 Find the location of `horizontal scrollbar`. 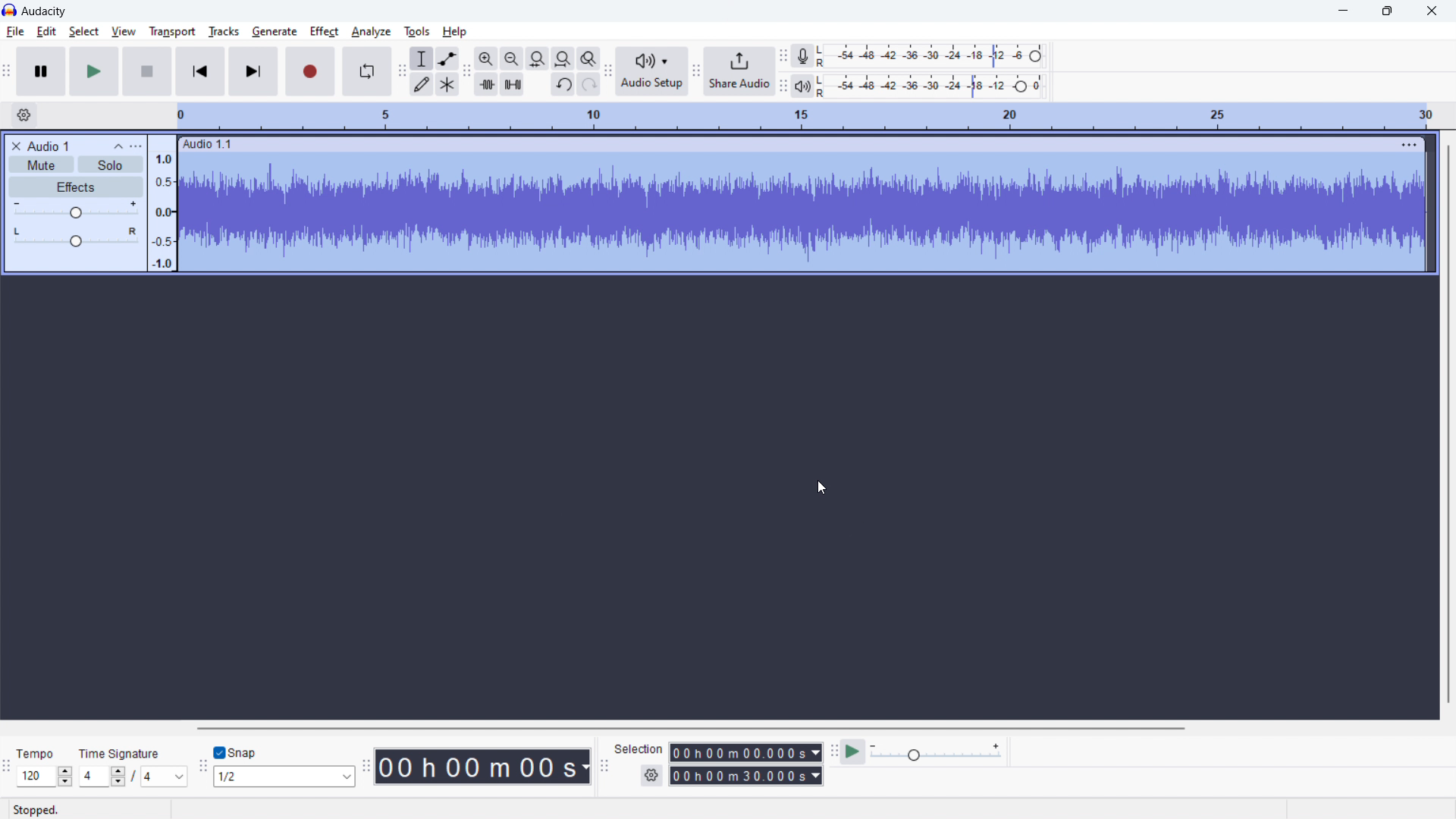

horizontal scrollbar is located at coordinates (807, 728).